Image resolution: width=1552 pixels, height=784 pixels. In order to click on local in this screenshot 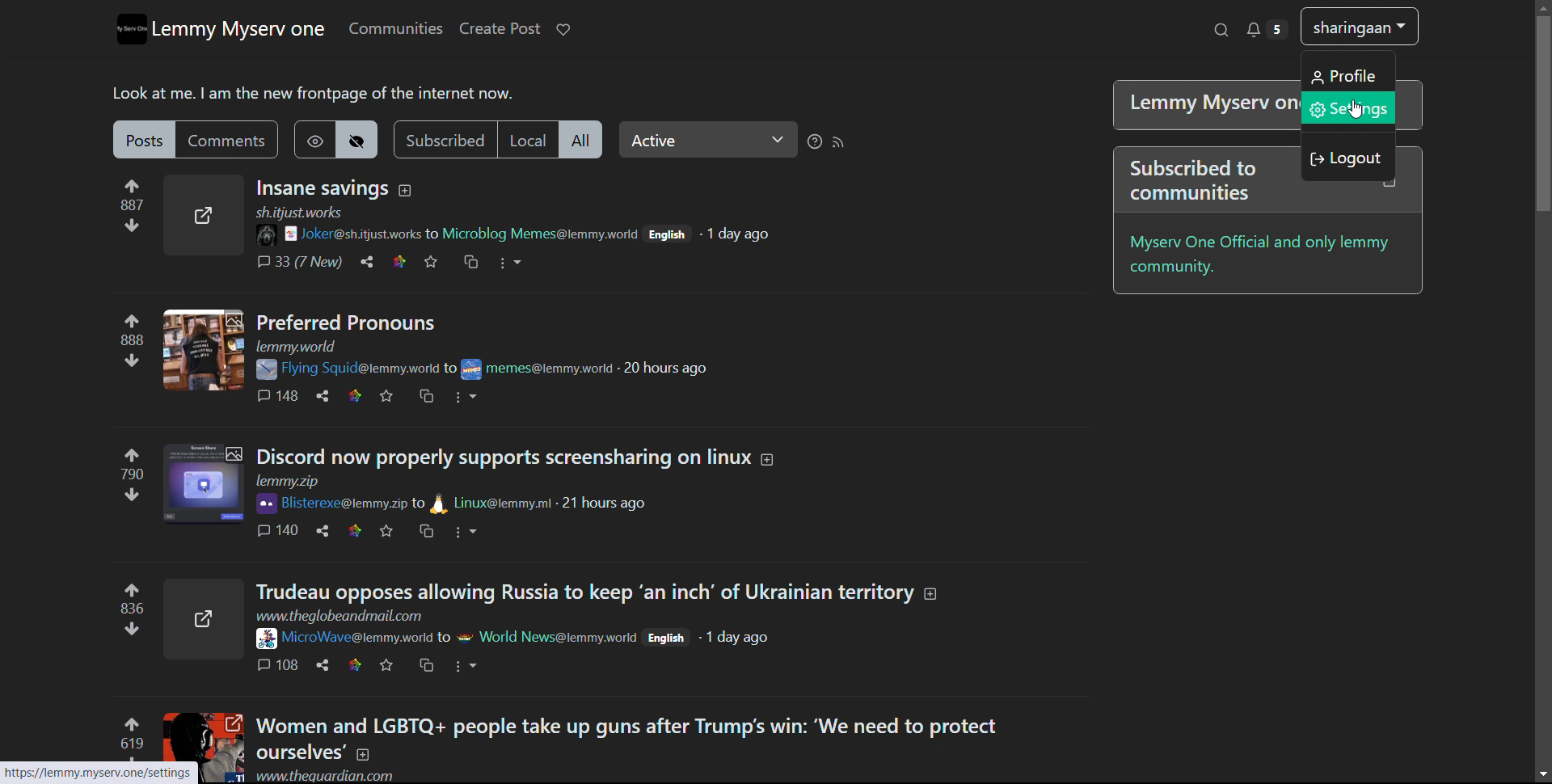, I will do `click(527, 139)`.